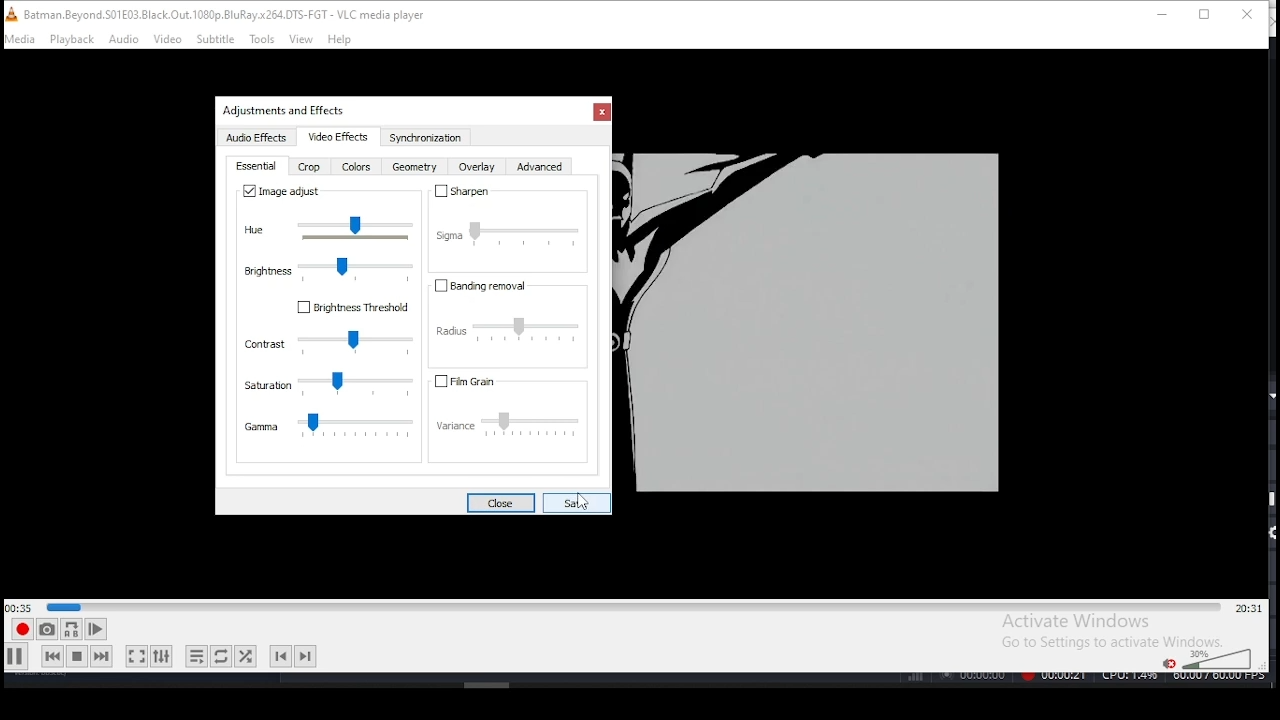  What do you see at coordinates (508, 229) in the screenshot?
I see `sigma` at bounding box center [508, 229].